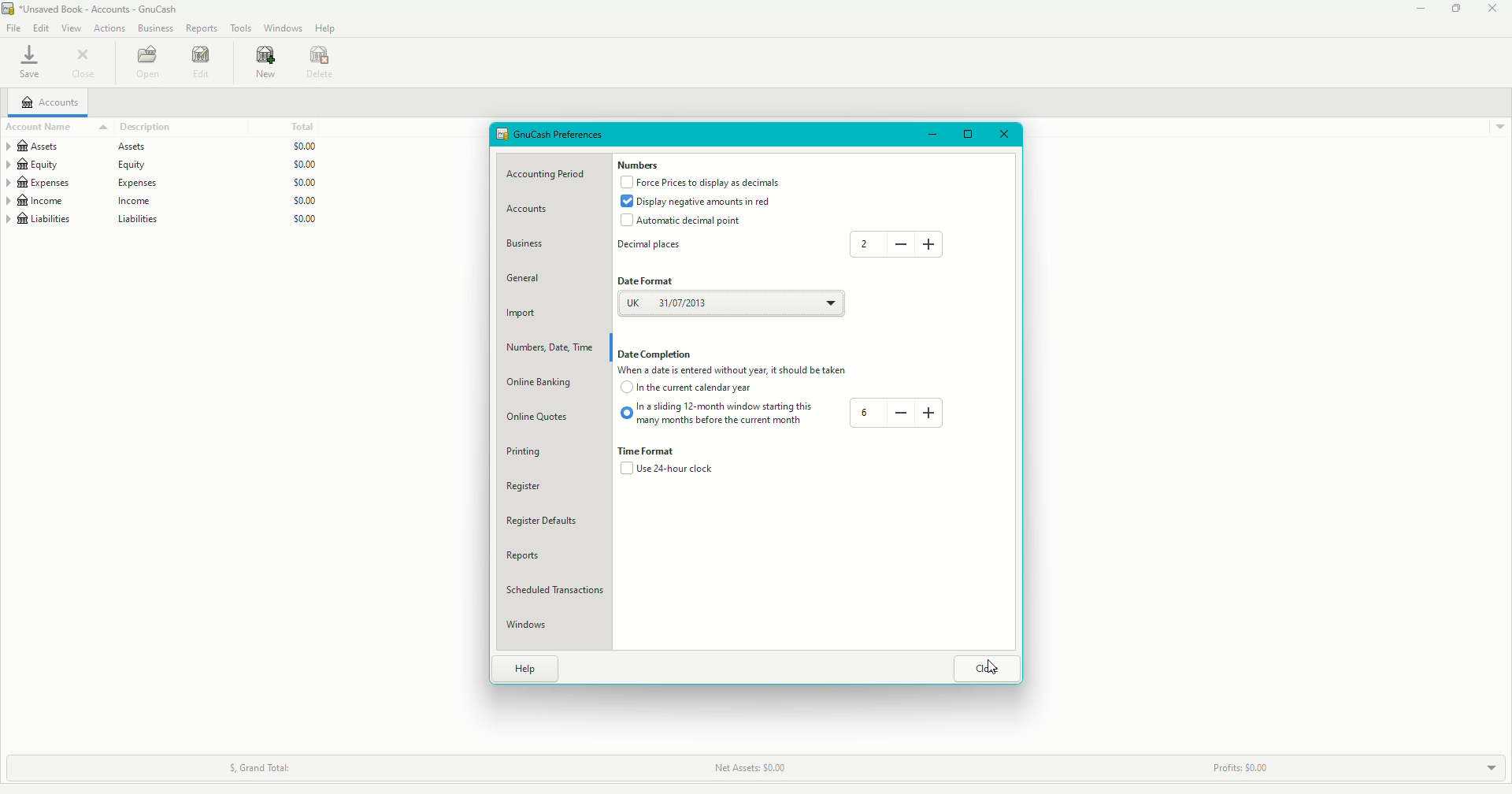 The width and height of the screenshot is (1512, 794). I want to click on General, so click(530, 278).